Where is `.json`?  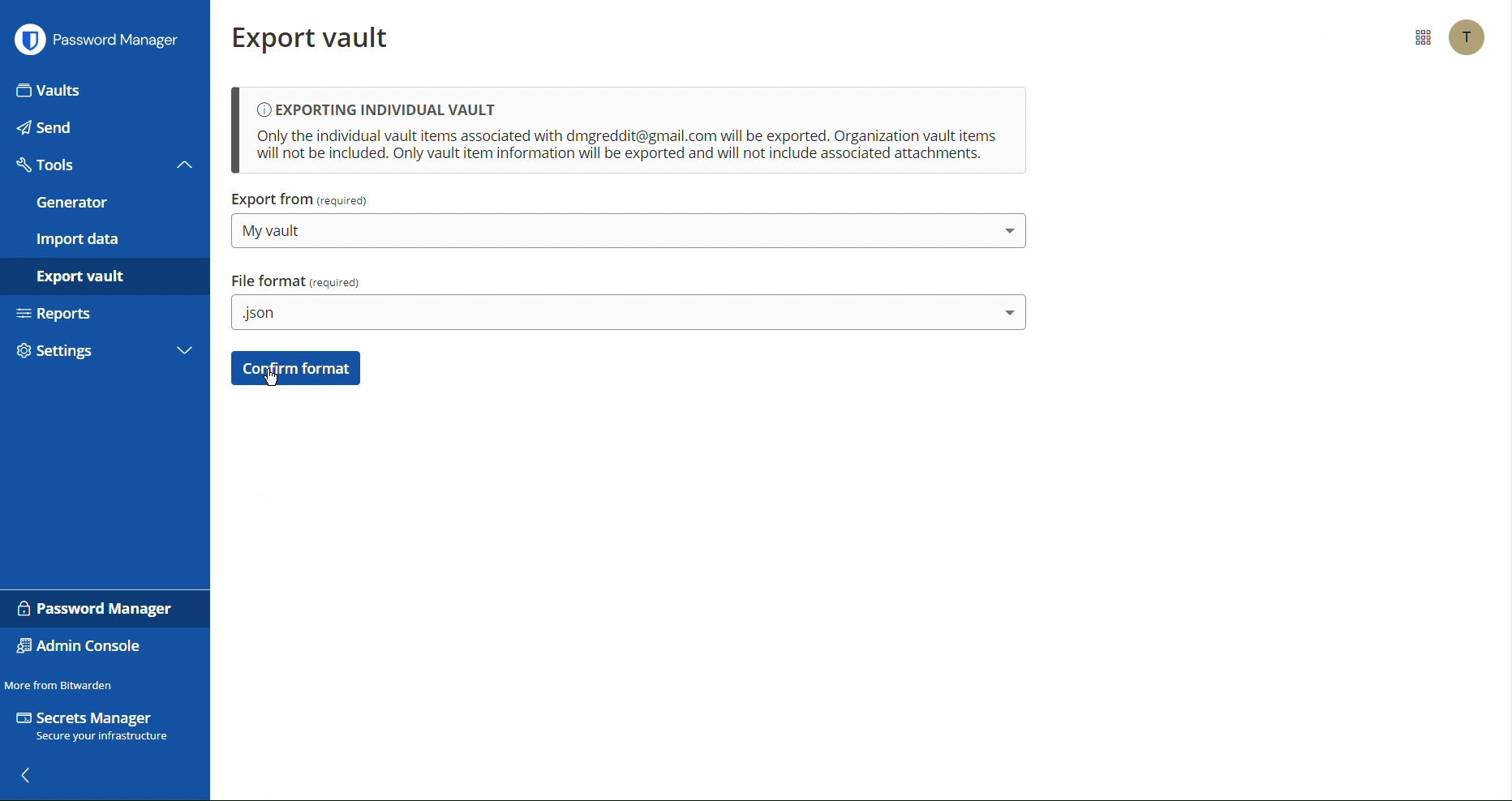 .json is located at coordinates (629, 312).